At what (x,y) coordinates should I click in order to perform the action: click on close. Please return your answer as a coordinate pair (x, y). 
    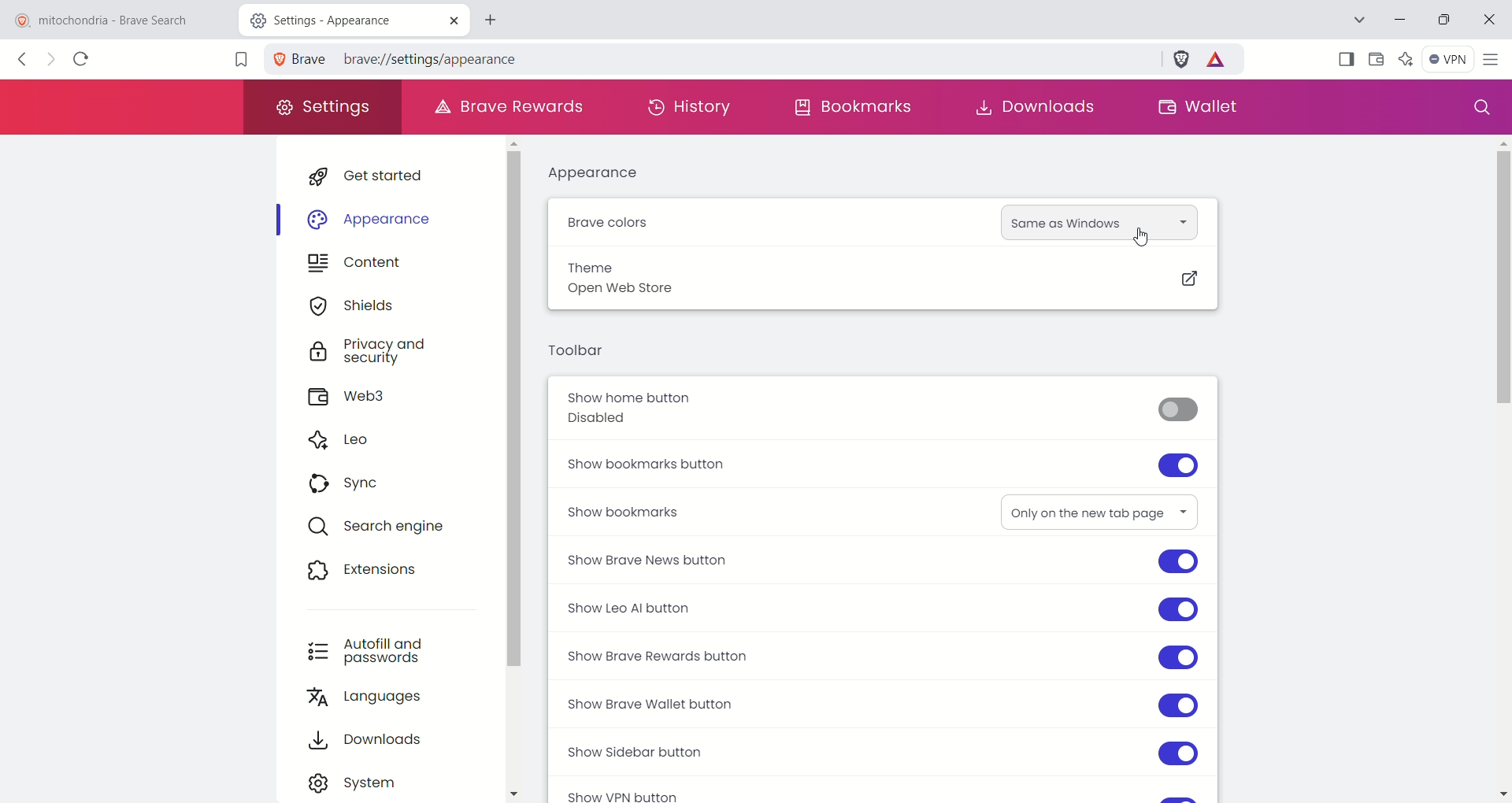
    Looking at the image, I should click on (452, 20).